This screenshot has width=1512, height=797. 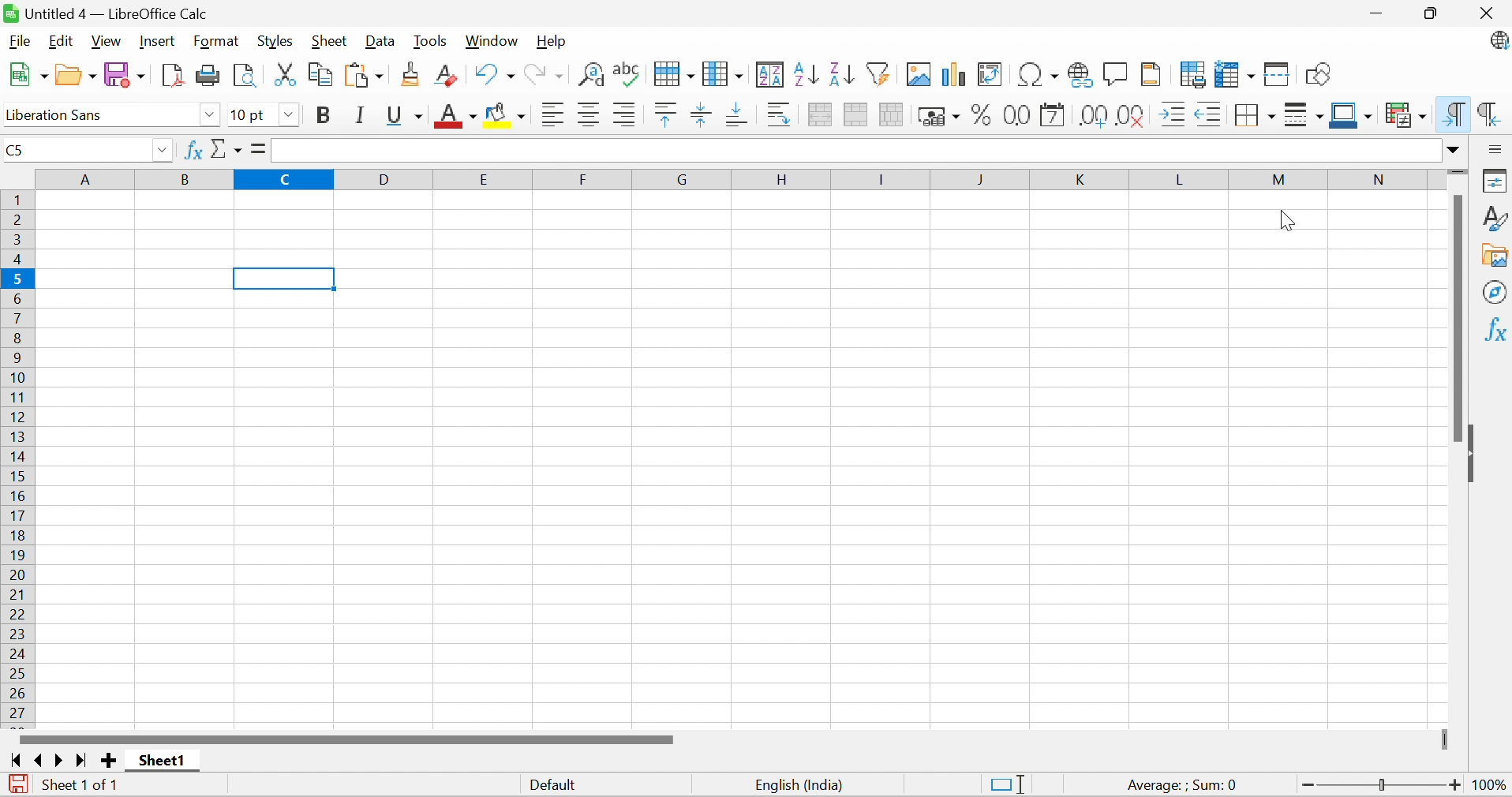 I want to click on Insert image, so click(x=919, y=75).